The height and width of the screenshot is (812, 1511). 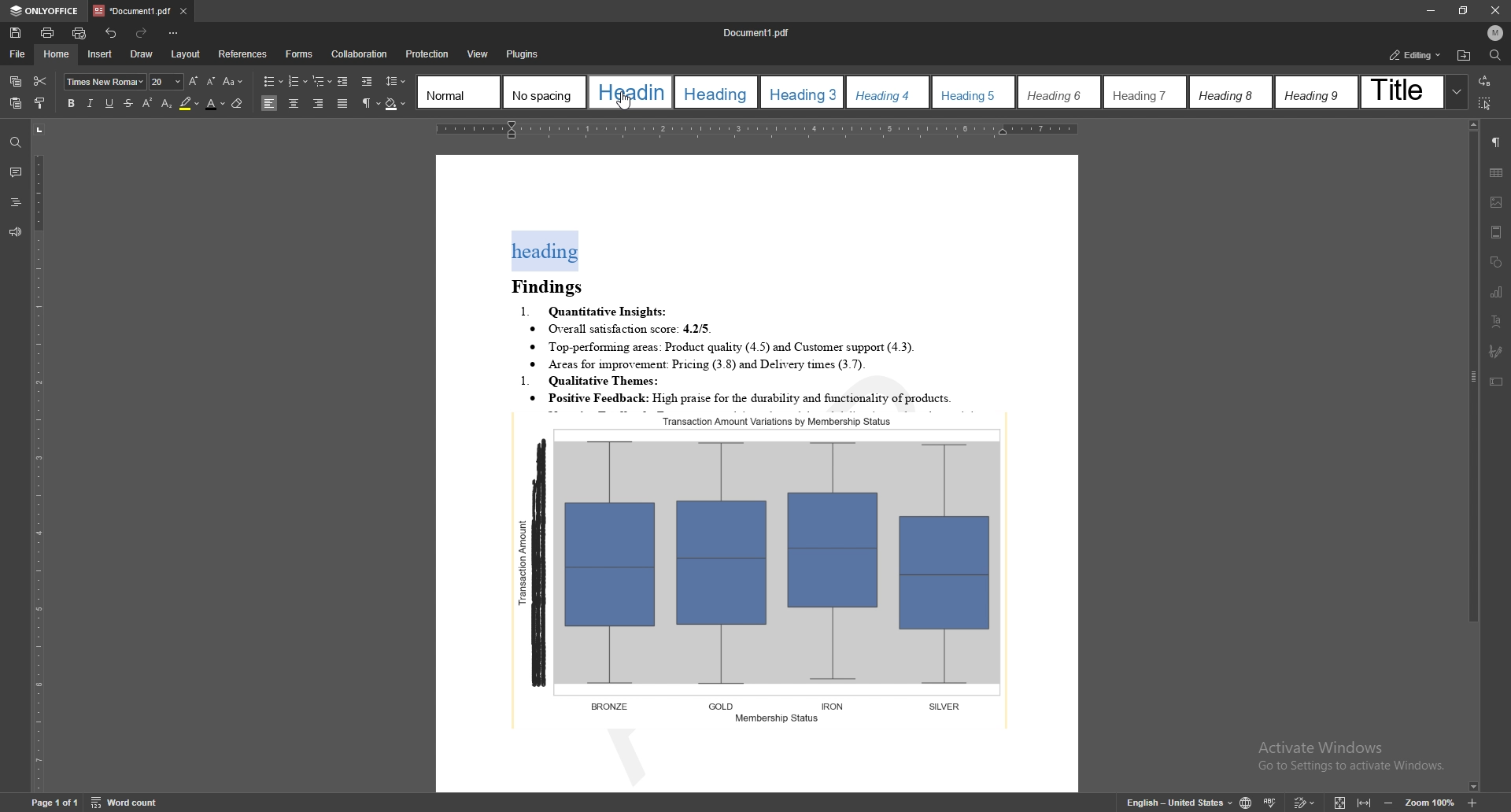 I want to click on insert, so click(x=99, y=54).